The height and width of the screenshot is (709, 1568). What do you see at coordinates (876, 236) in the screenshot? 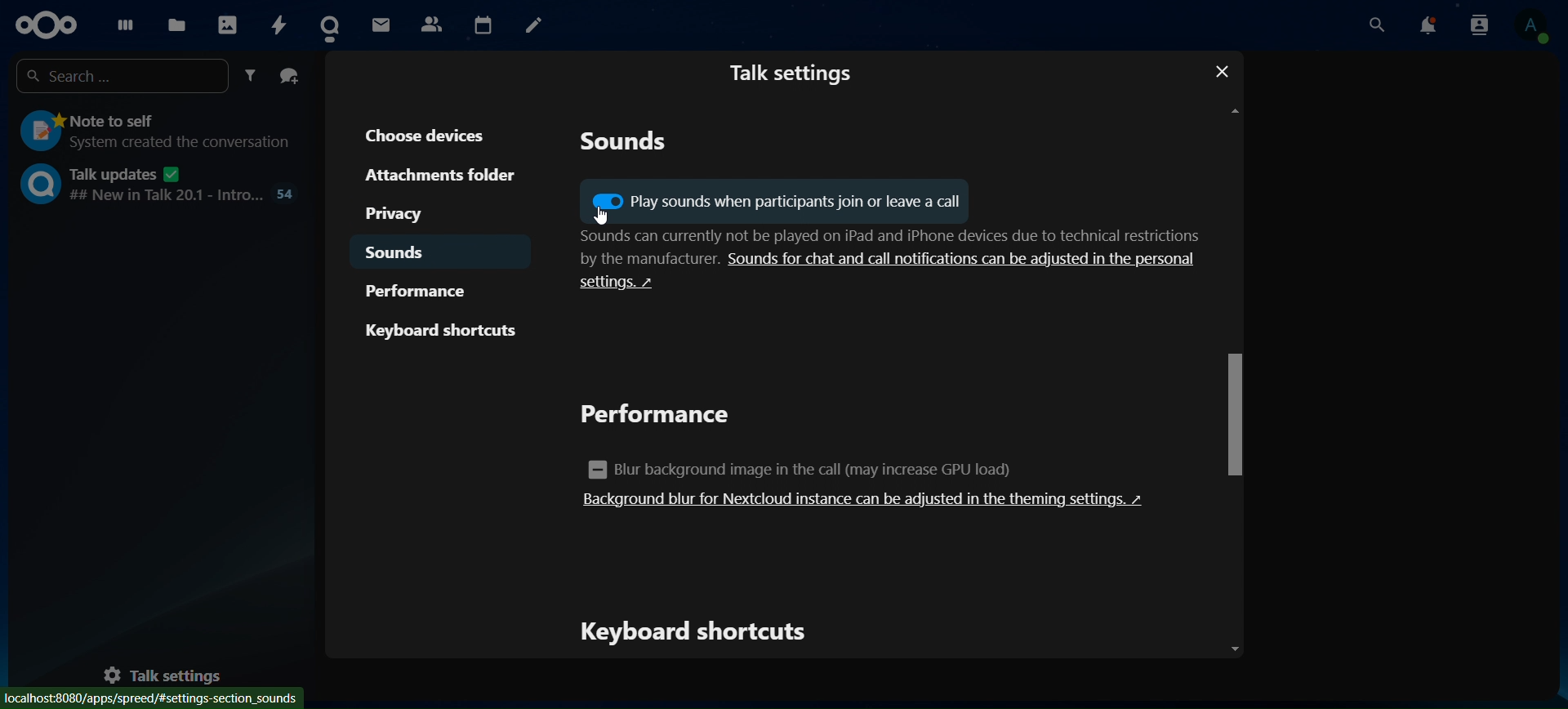
I see `Sounds can currently not be played on iPad and iPhone devices due to technical restrictions` at bounding box center [876, 236].